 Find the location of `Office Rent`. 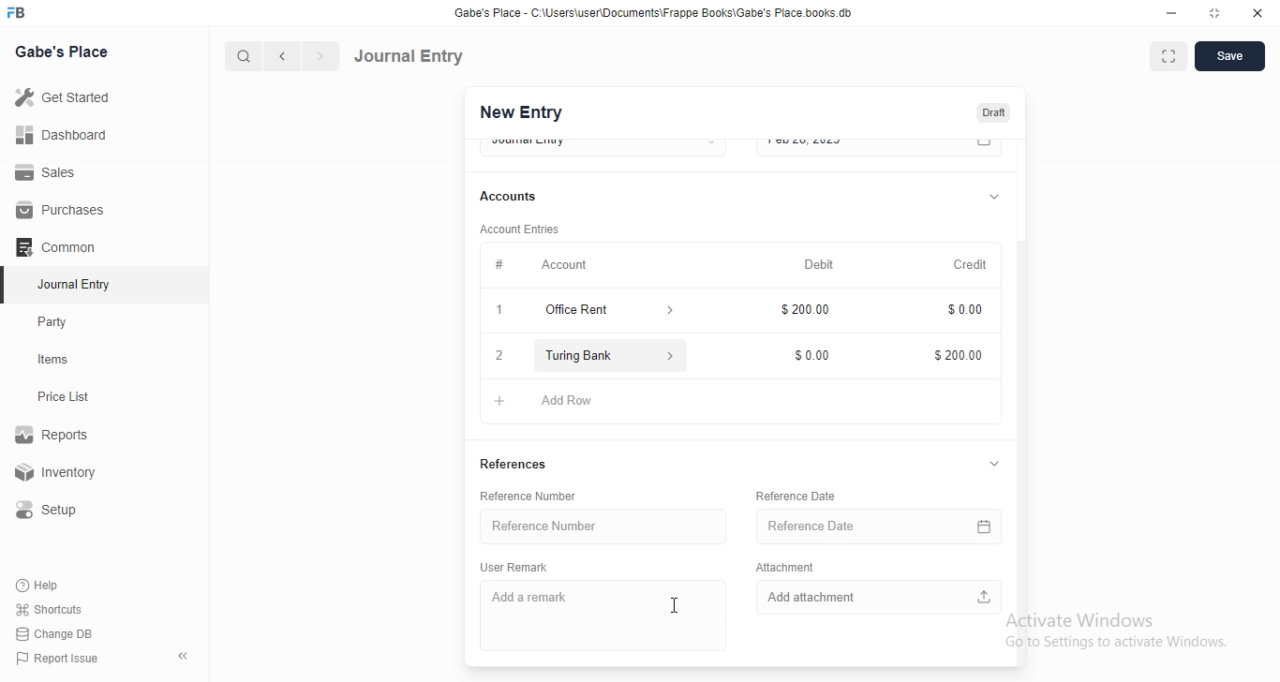

Office Rent is located at coordinates (580, 310).